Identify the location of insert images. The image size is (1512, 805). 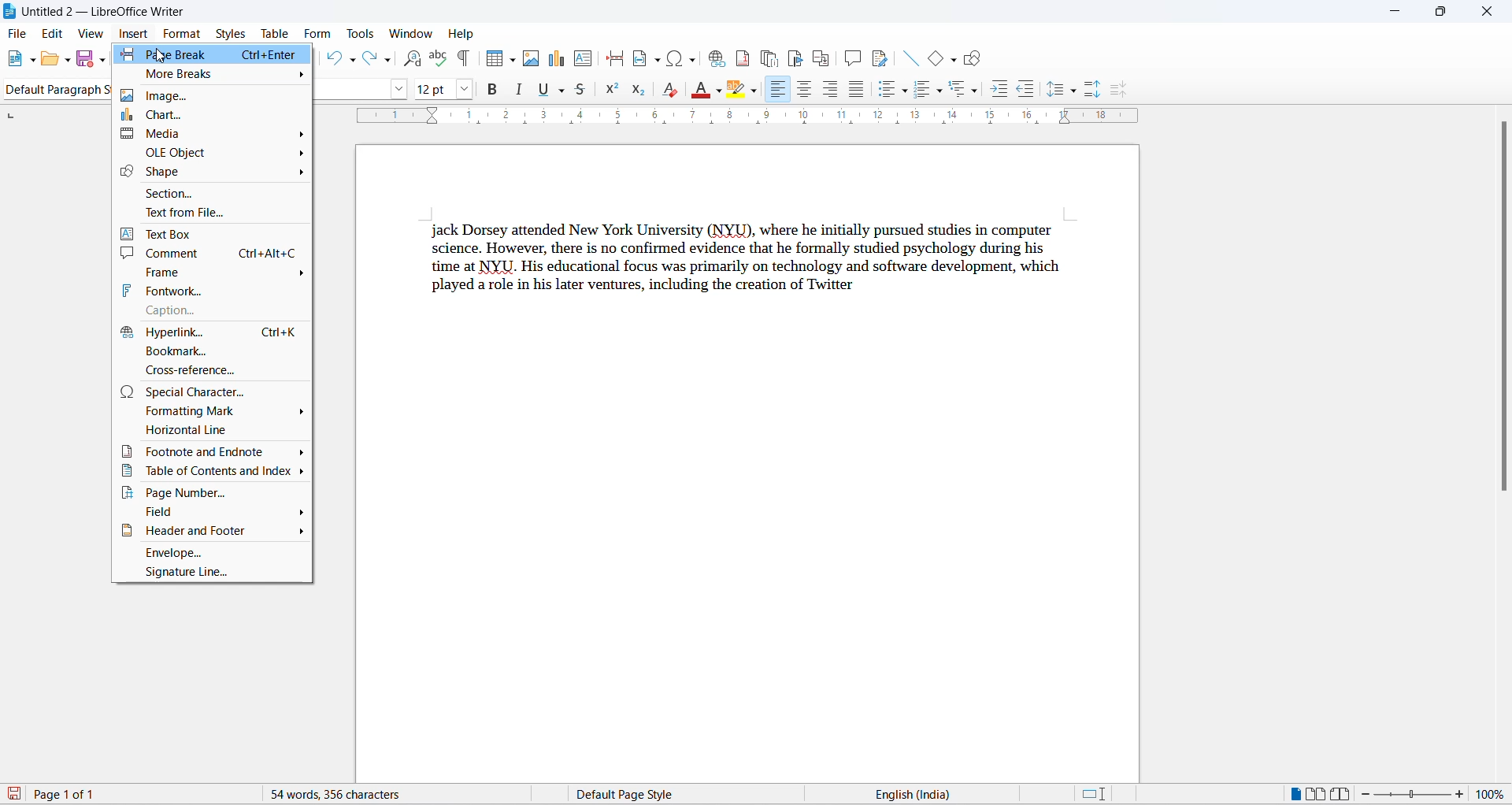
(534, 58).